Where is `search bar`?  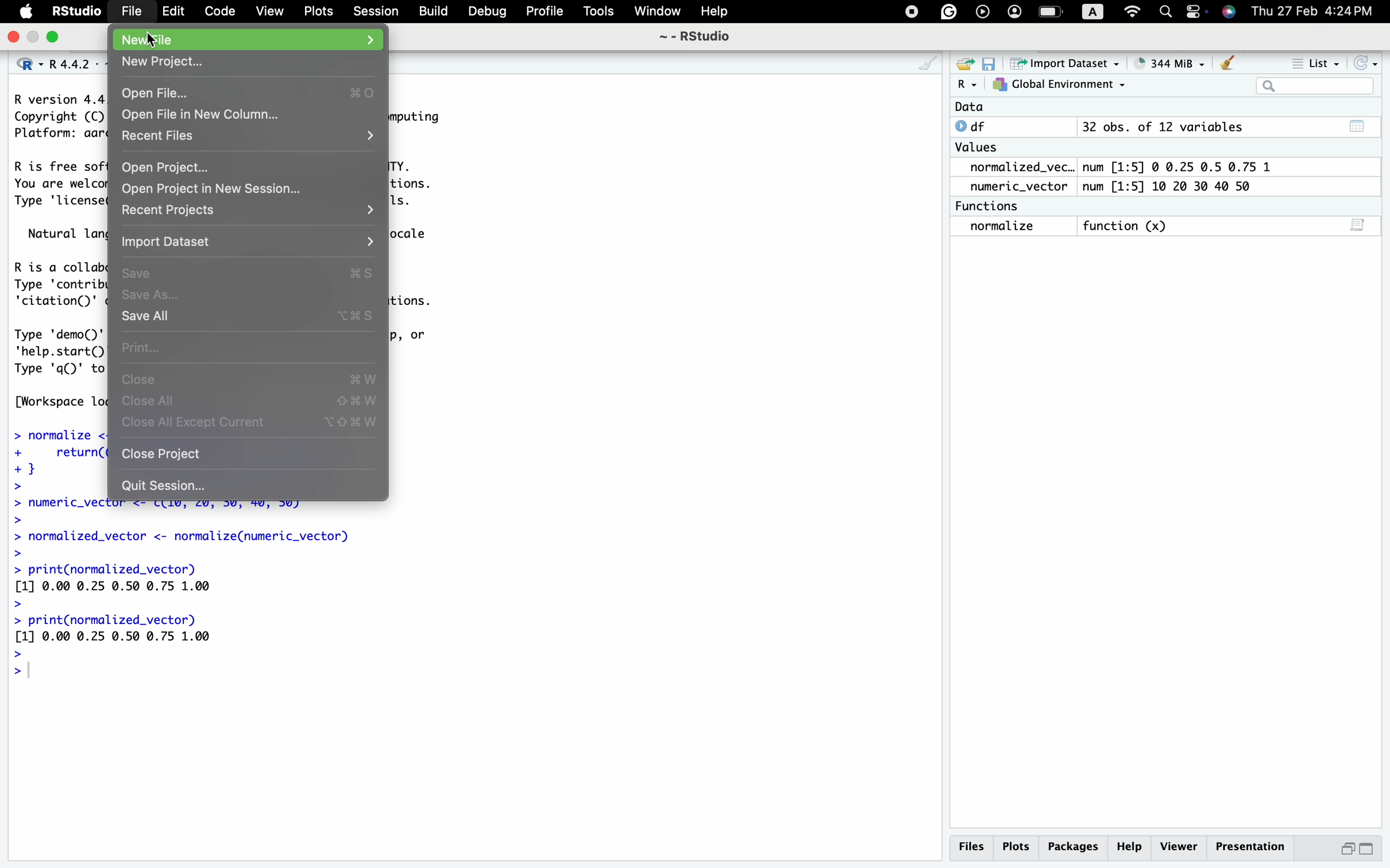 search bar is located at coordinates (1313, 86).